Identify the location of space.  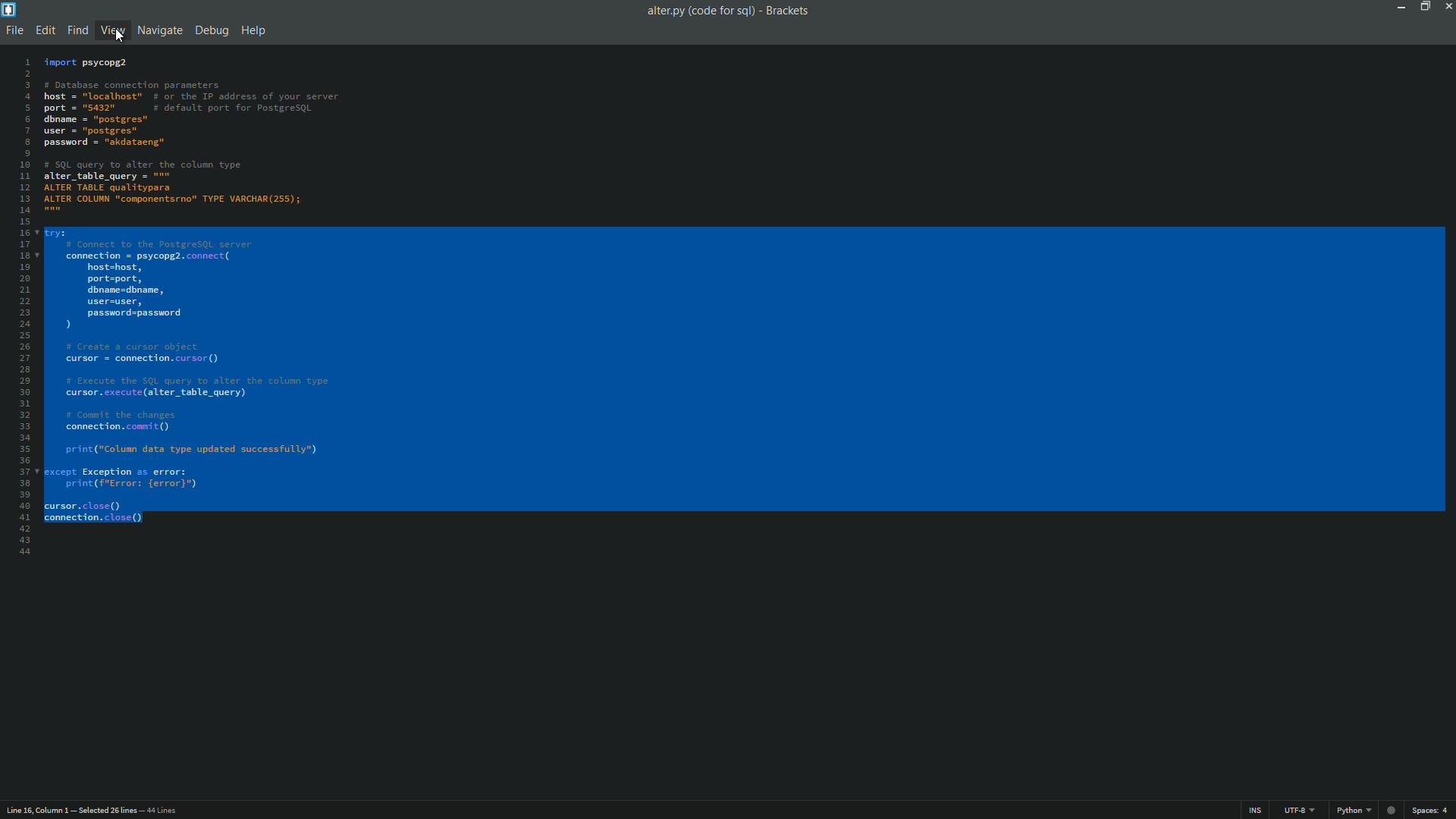
(1433, 811).